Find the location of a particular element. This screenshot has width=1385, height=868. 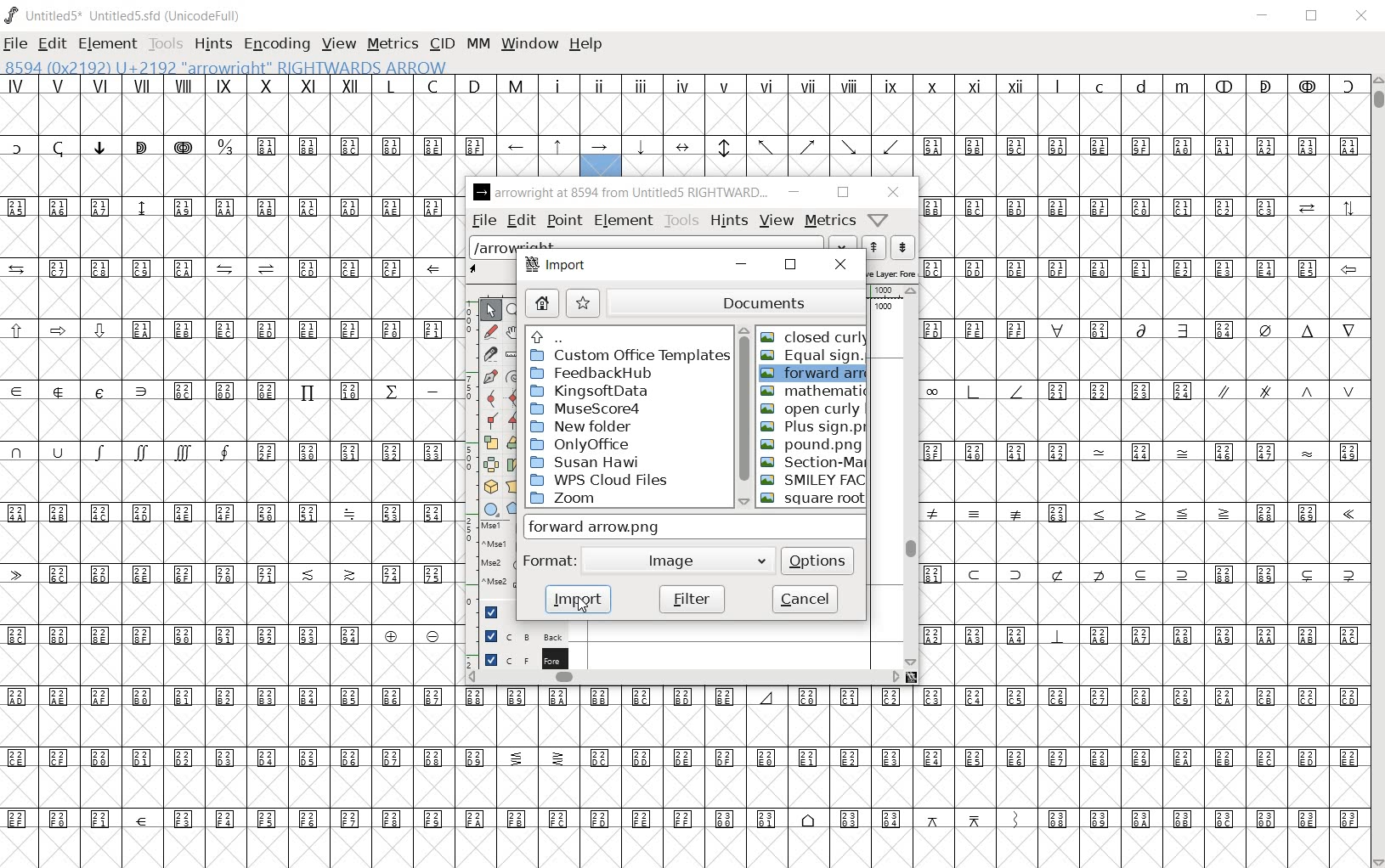

Rotate the selection is located at coordinates (513, 465).